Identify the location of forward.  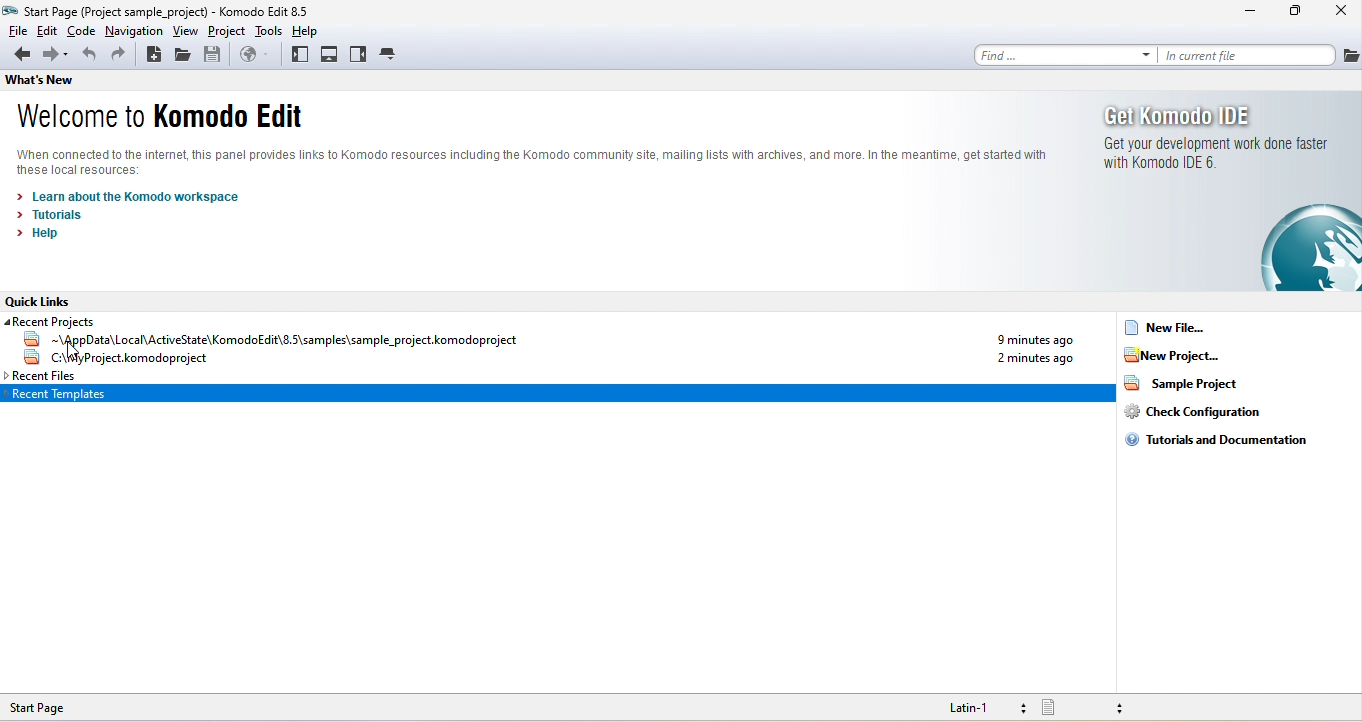
(58, 54).